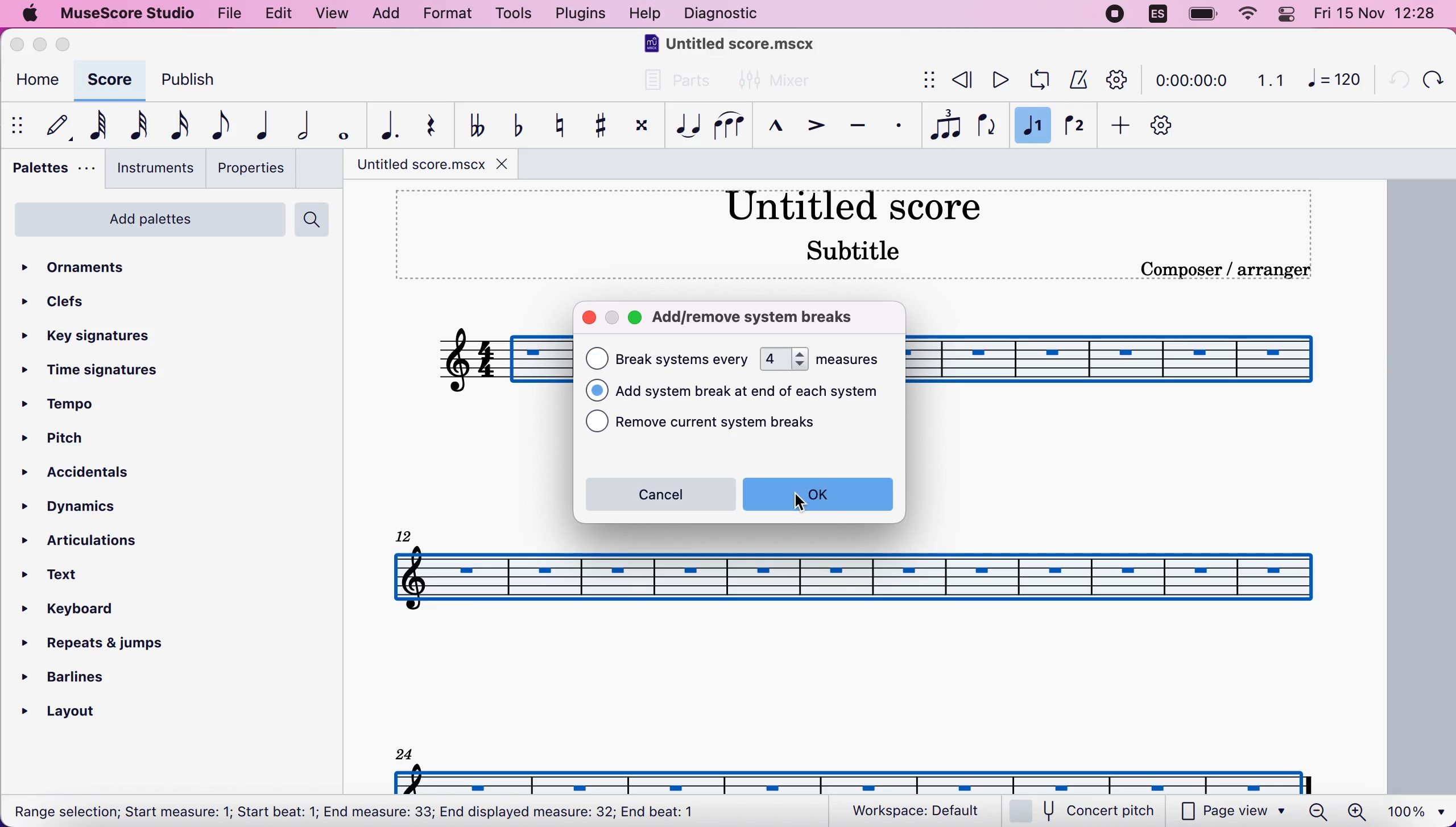 The height and width of the screenshot is (827, 1456). I want to click on key signature, so click(99, 337).